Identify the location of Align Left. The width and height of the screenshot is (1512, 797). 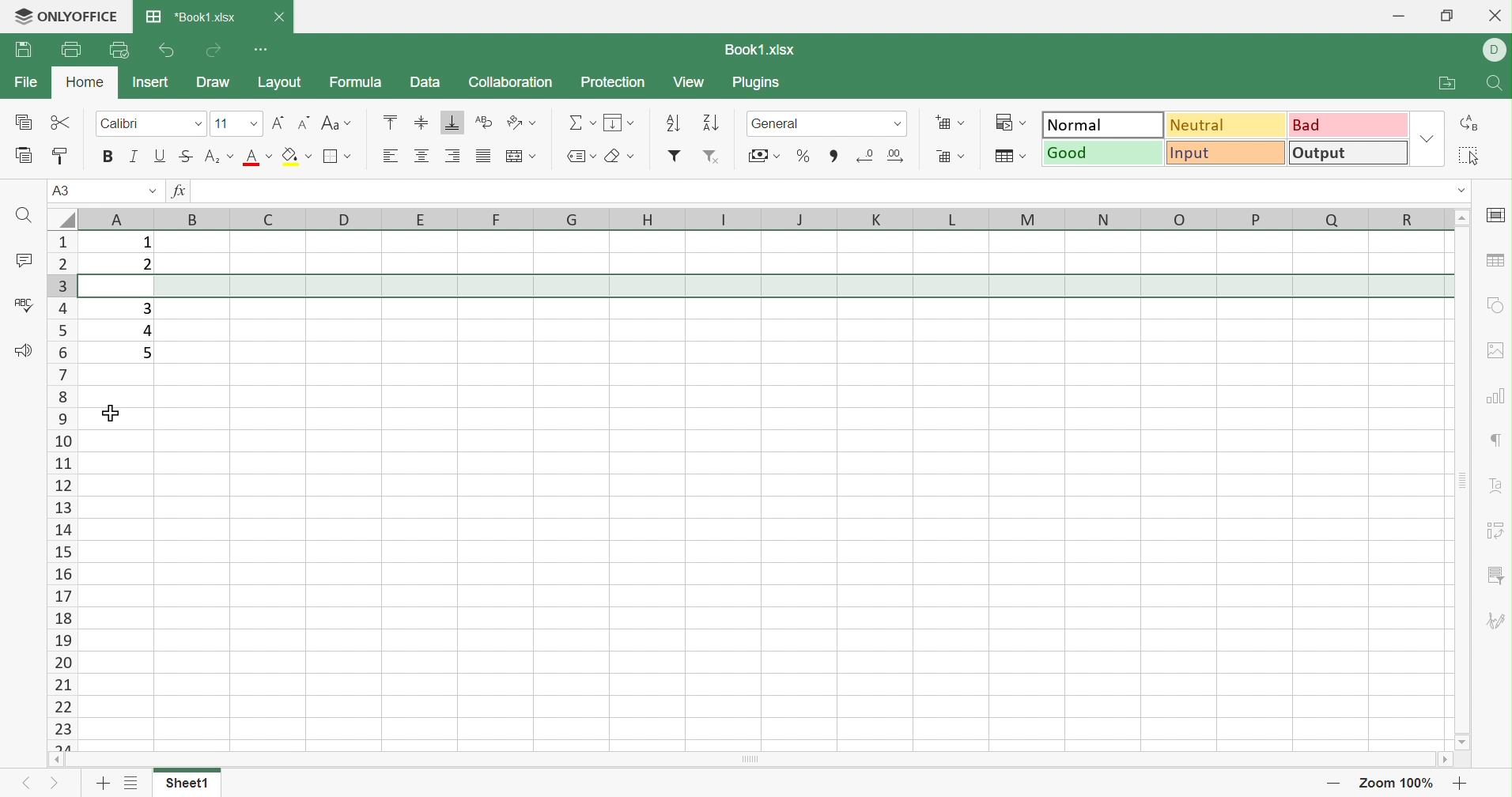
(391, 153).